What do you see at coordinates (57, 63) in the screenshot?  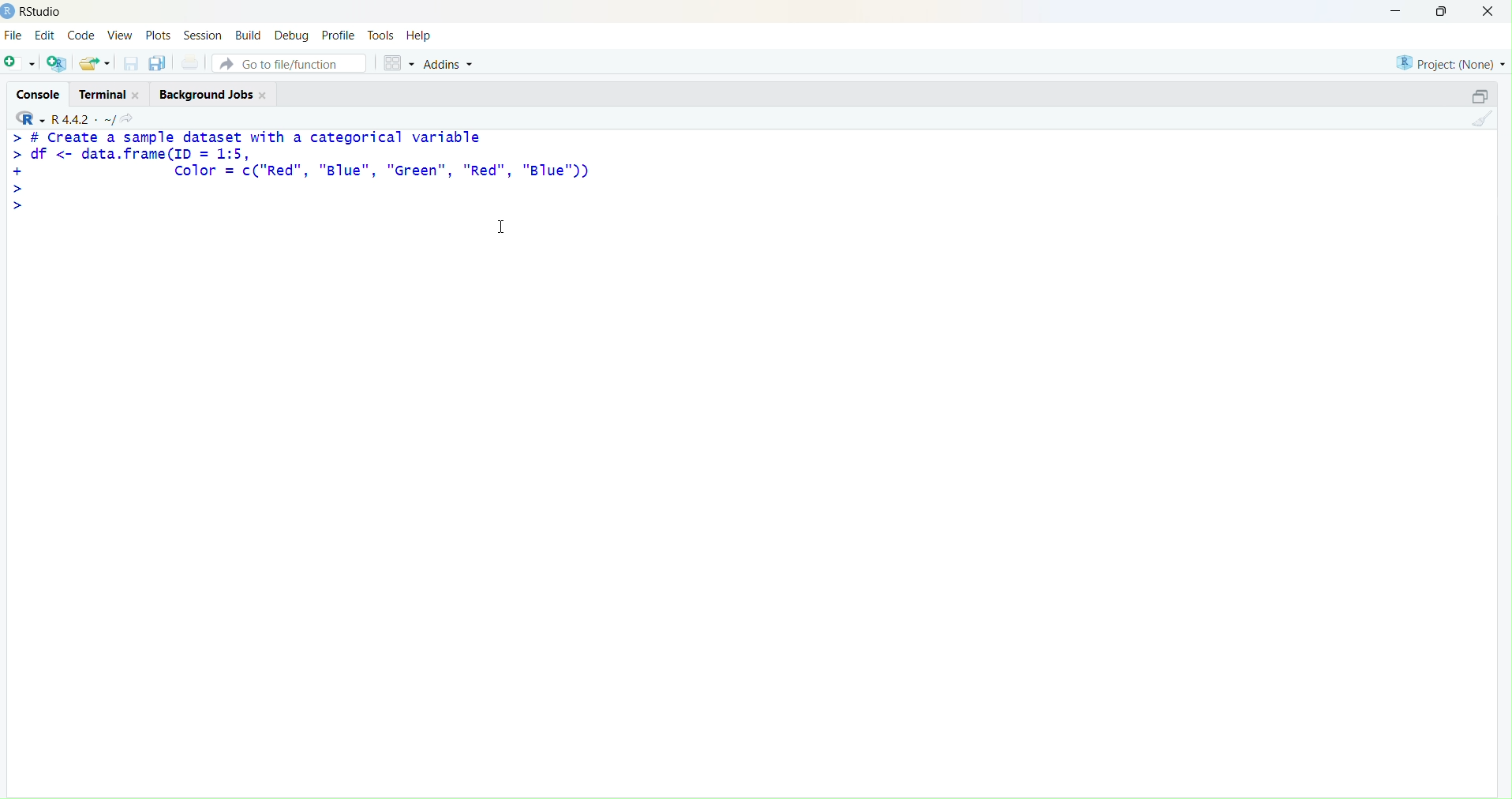 I see `add R file` at bounding box center [57, 63].